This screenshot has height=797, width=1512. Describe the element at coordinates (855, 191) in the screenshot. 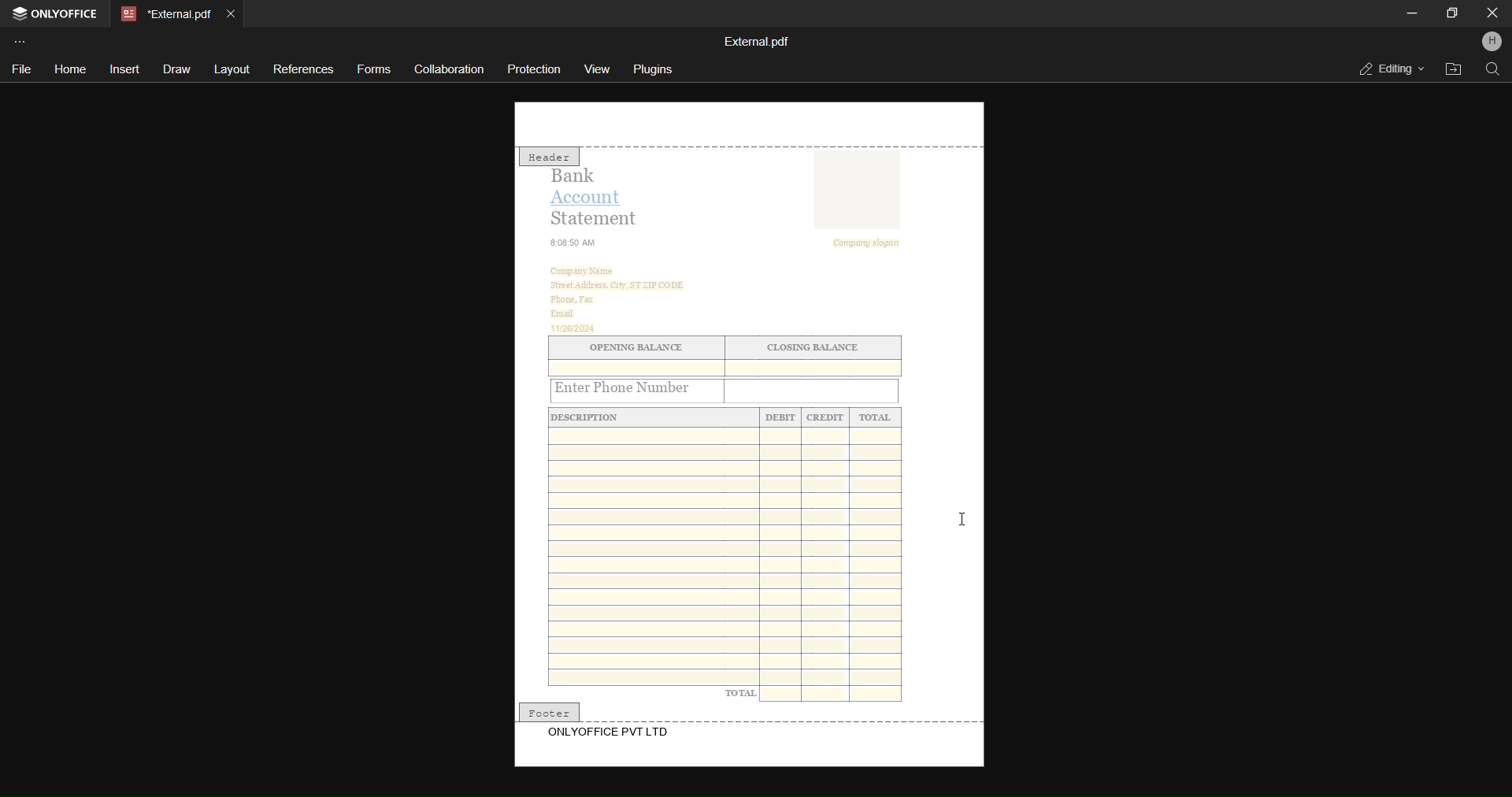

I see `image` at that location.